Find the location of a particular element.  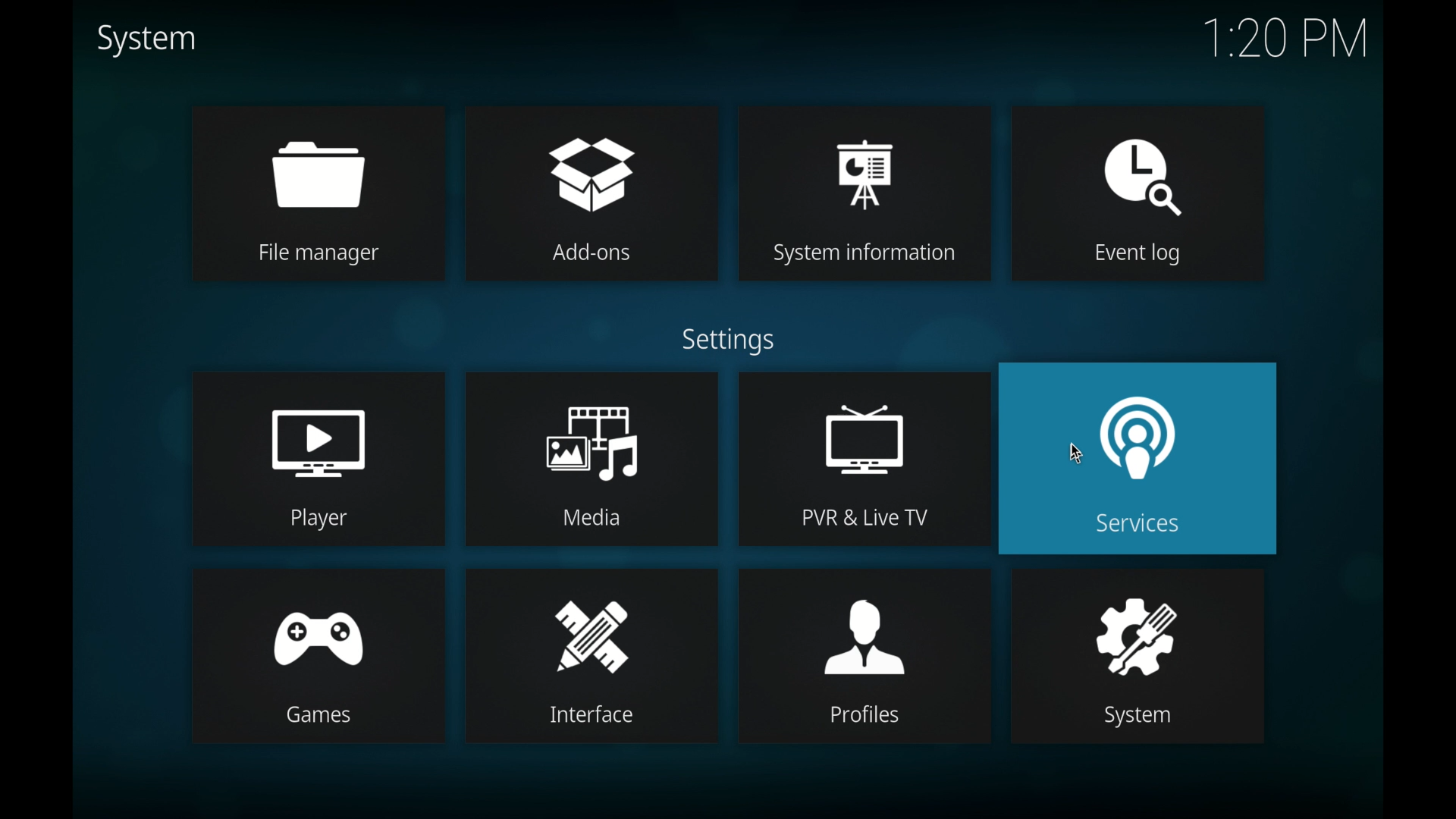

cursor is located at coordinates (1078, 453).